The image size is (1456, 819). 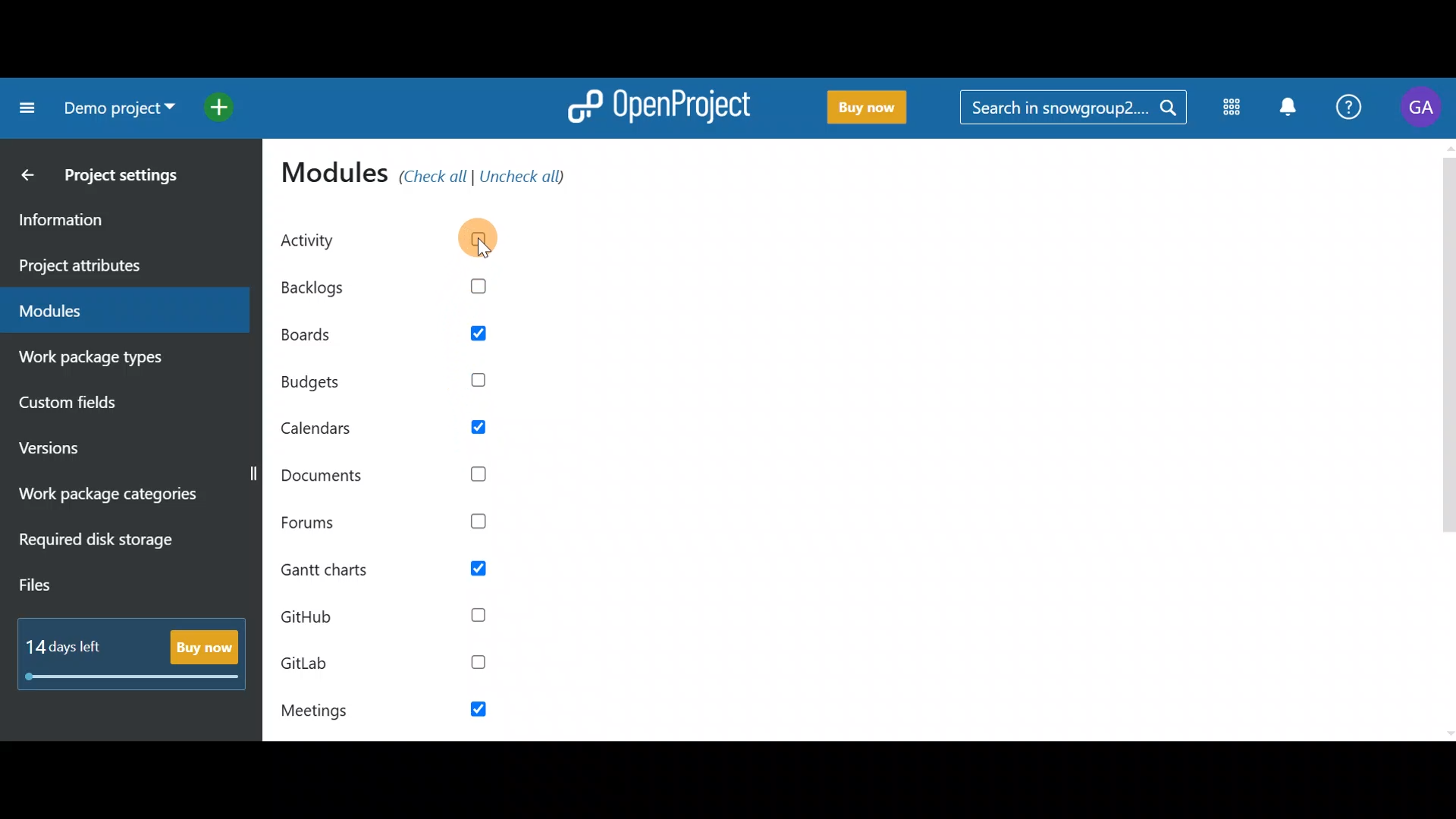 I want to click on Information, so click(x=113, y=222).